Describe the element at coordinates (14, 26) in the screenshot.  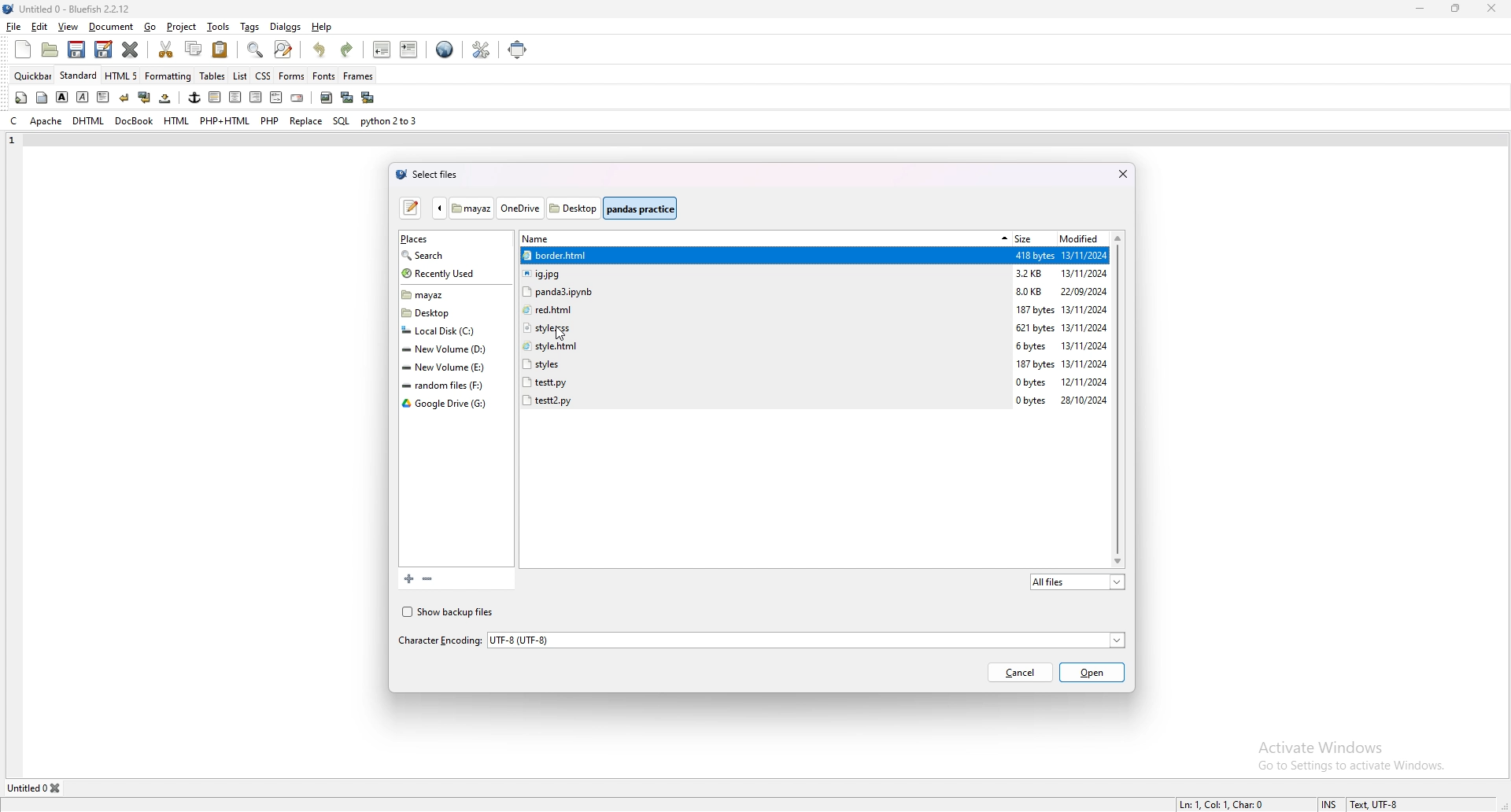
I see `file` at that location.